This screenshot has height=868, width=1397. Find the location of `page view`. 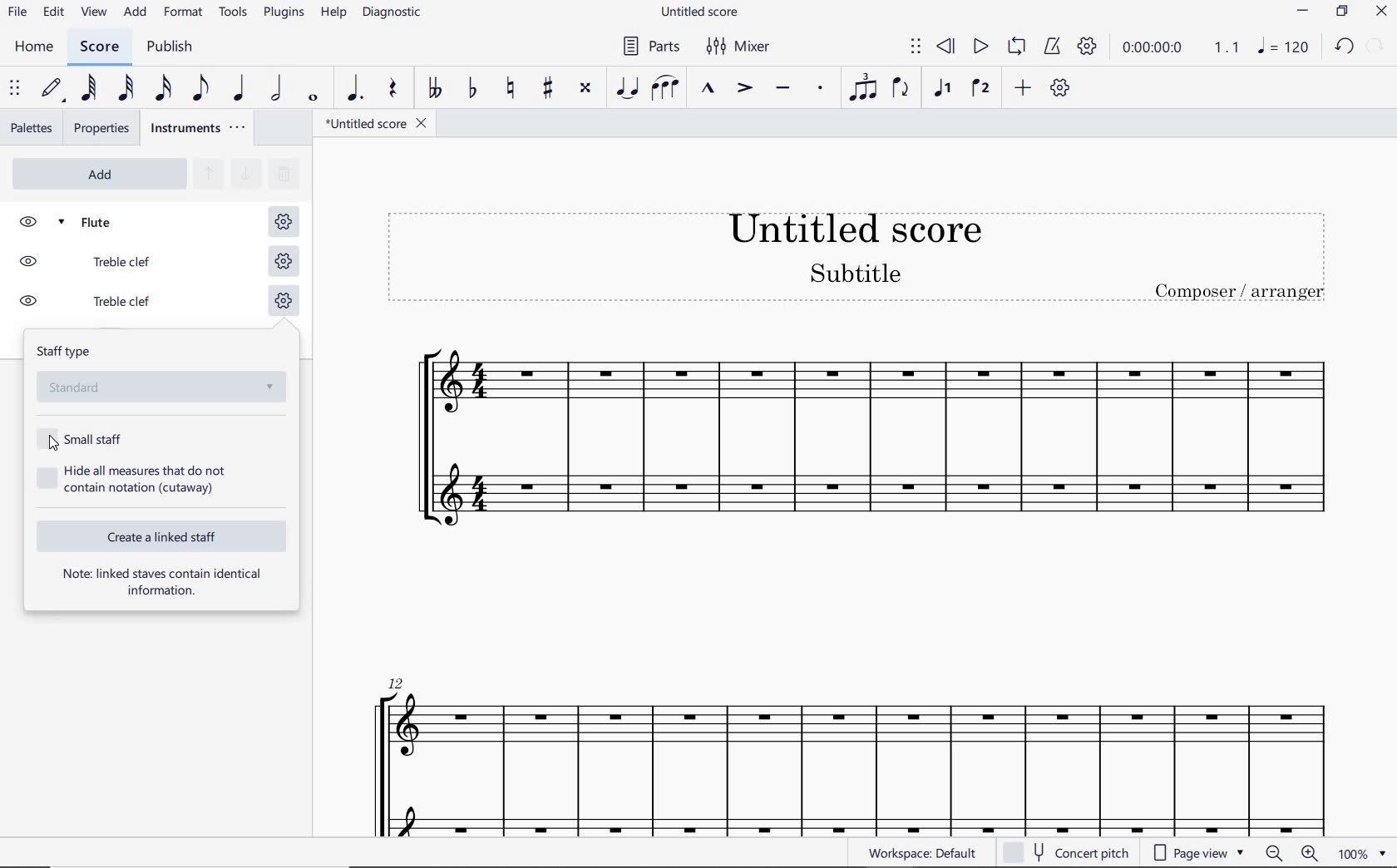

page view is located at coordinates (1197, 851).